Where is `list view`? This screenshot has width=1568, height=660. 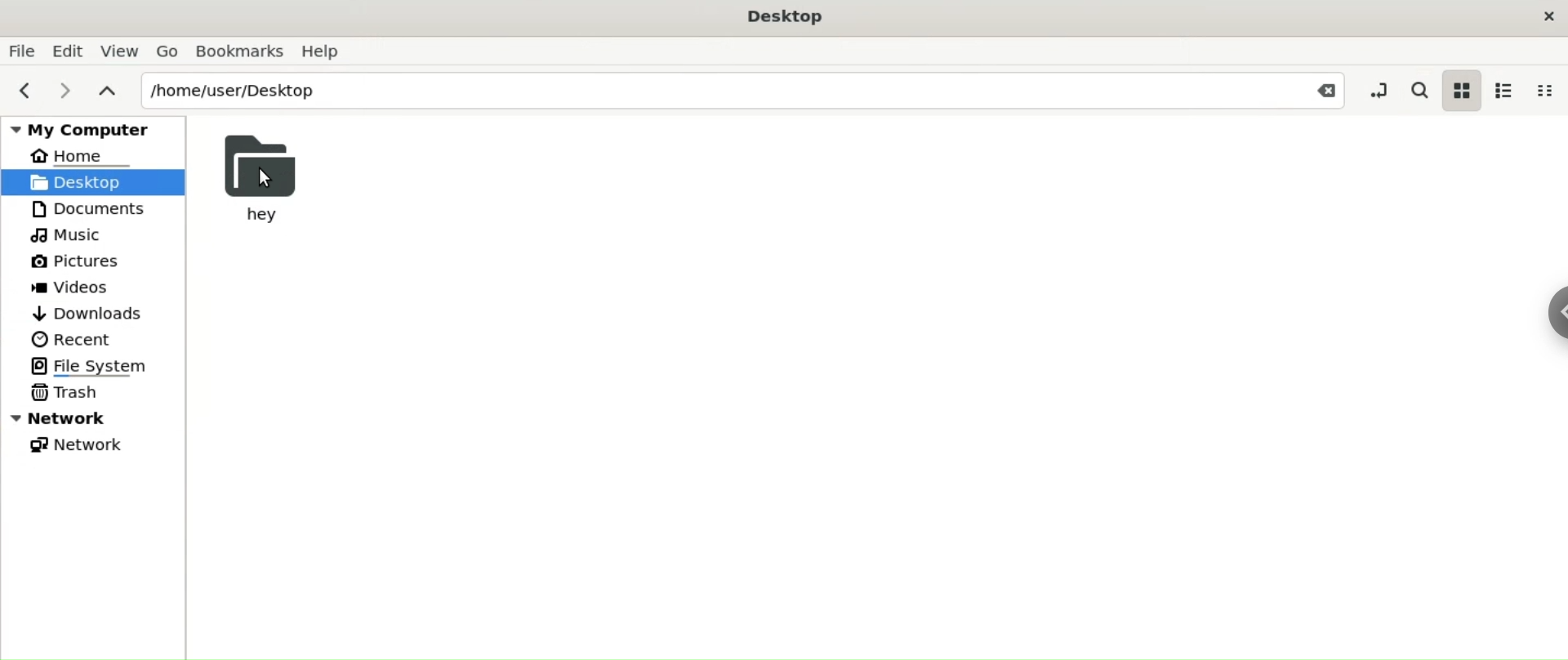 list view is located at coordinates (1507, 92).